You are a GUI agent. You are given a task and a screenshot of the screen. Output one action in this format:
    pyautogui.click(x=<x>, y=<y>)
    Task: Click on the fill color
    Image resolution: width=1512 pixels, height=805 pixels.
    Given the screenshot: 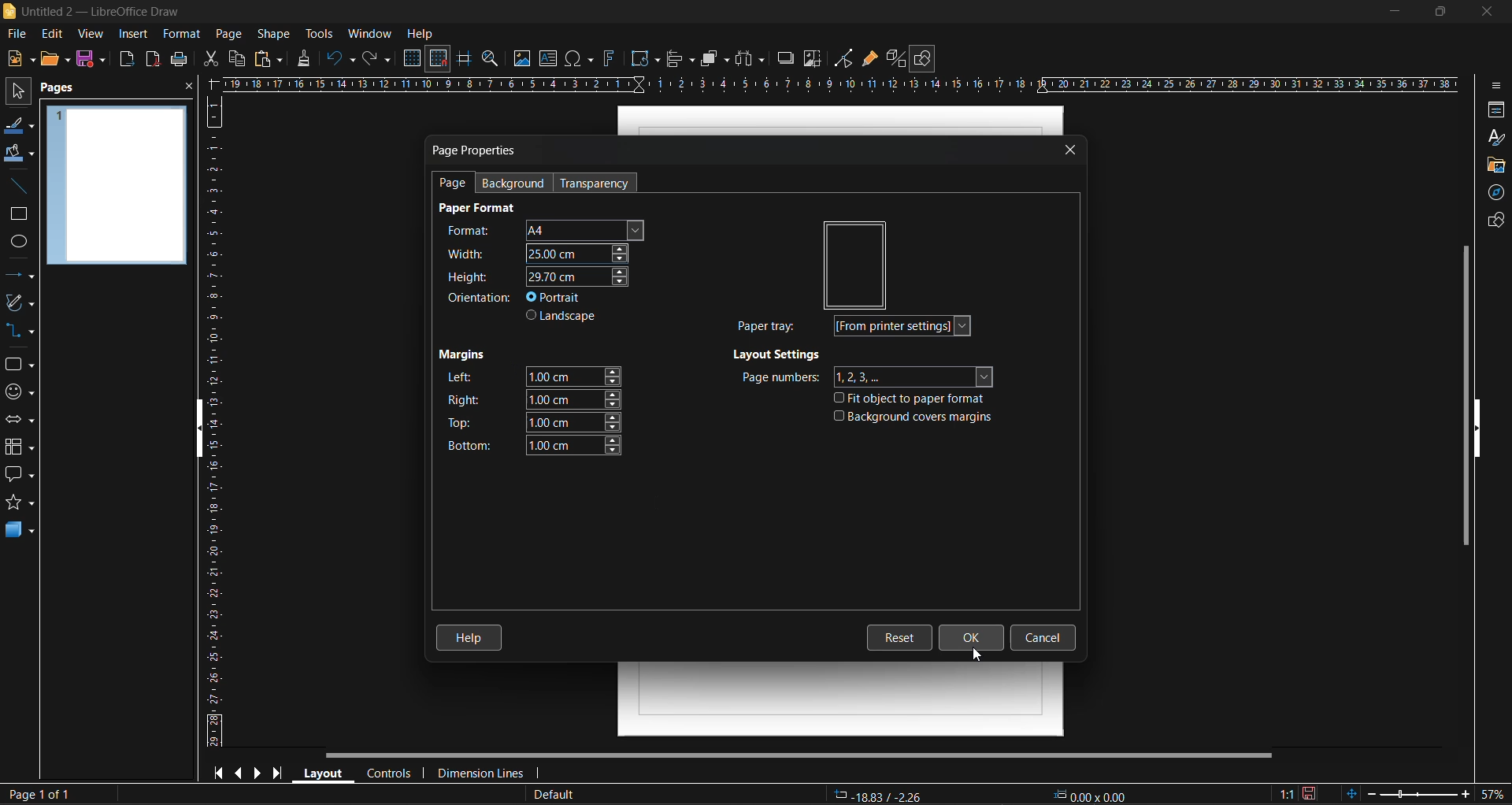 What is the action you would take?
    pyautogui.click(x=18, y=154)
    